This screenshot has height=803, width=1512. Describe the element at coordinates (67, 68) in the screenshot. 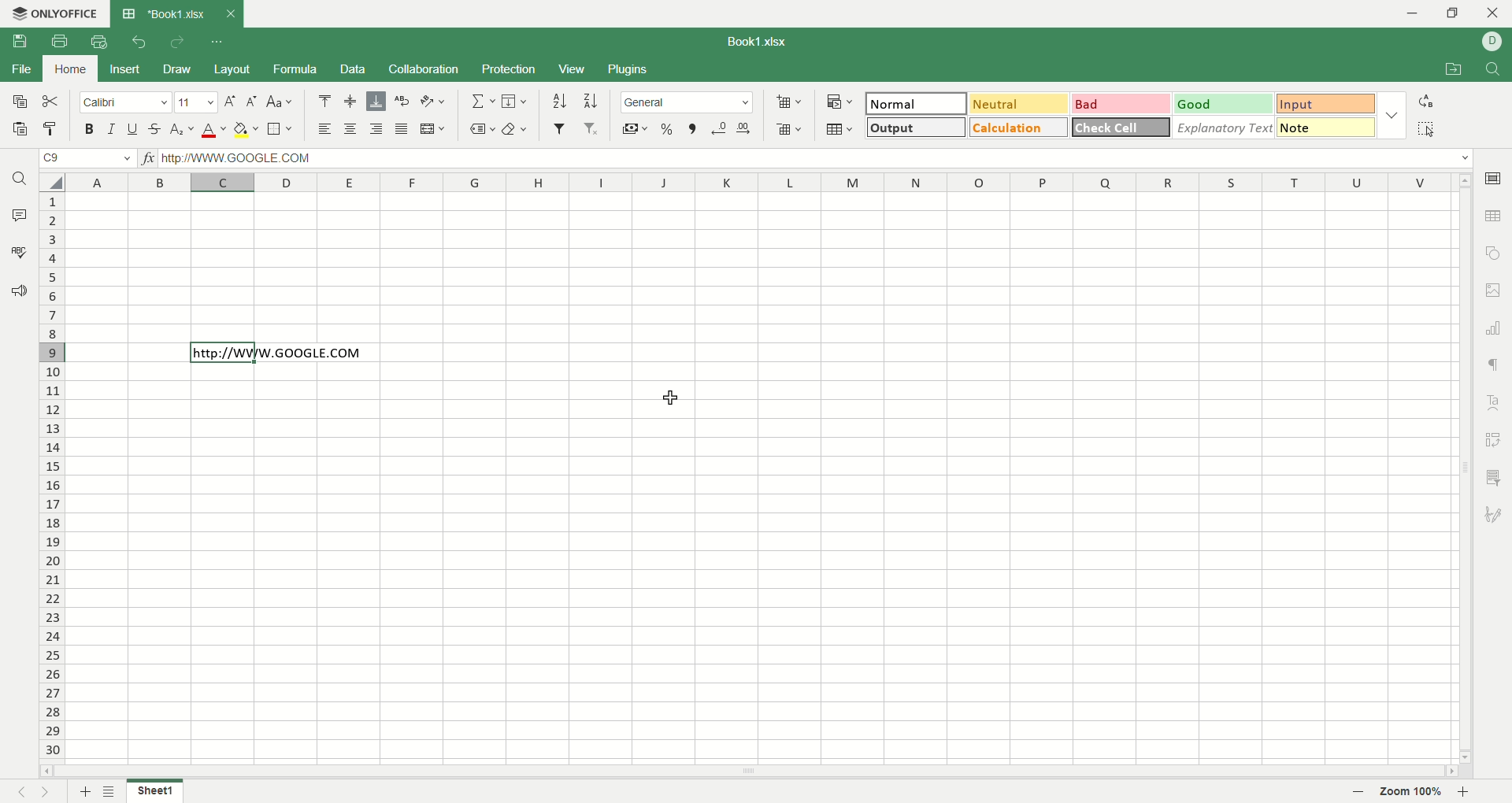

I see `home` at that location.